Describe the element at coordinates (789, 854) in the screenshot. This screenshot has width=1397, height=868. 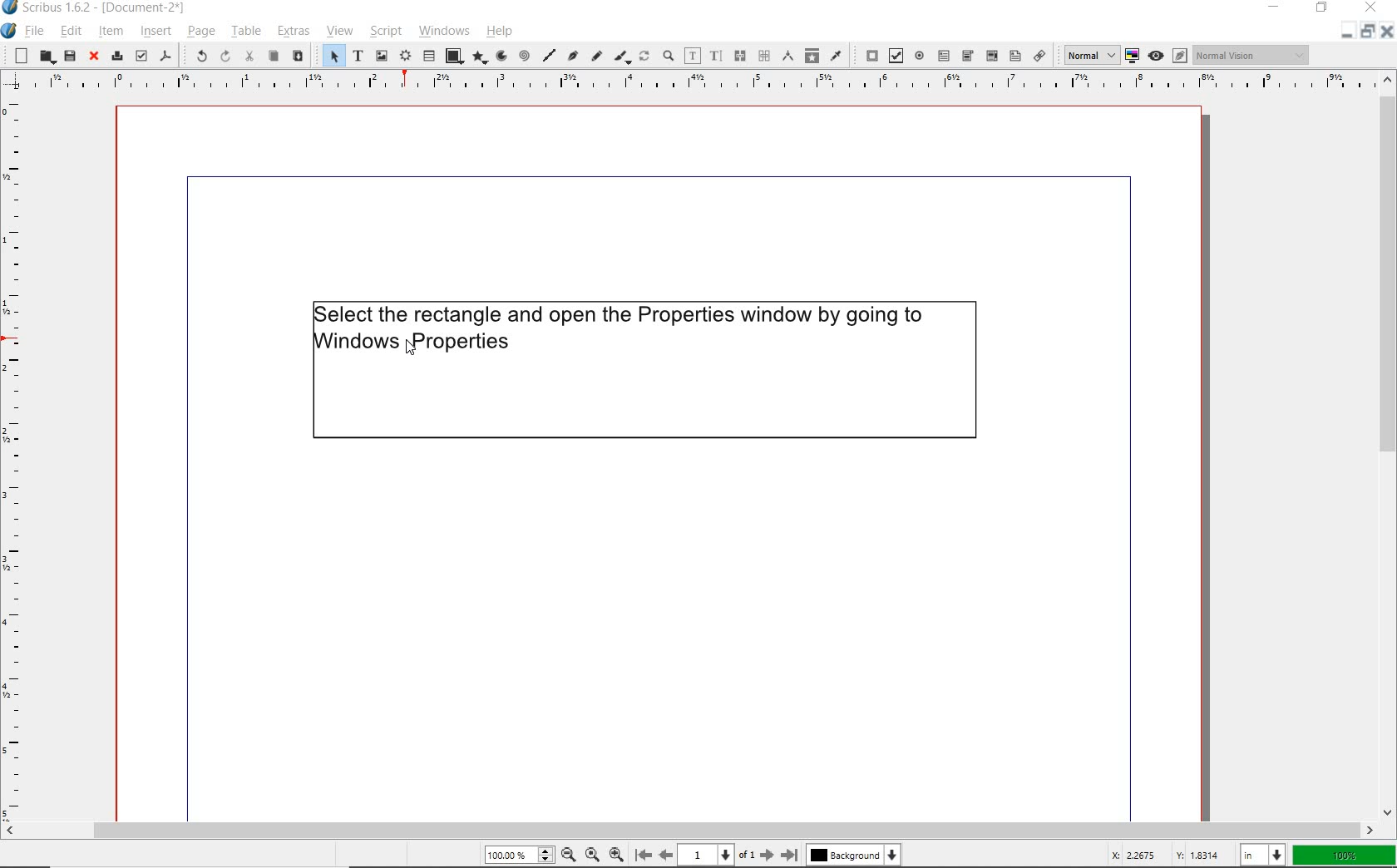
I see `go to last [page` at that location.